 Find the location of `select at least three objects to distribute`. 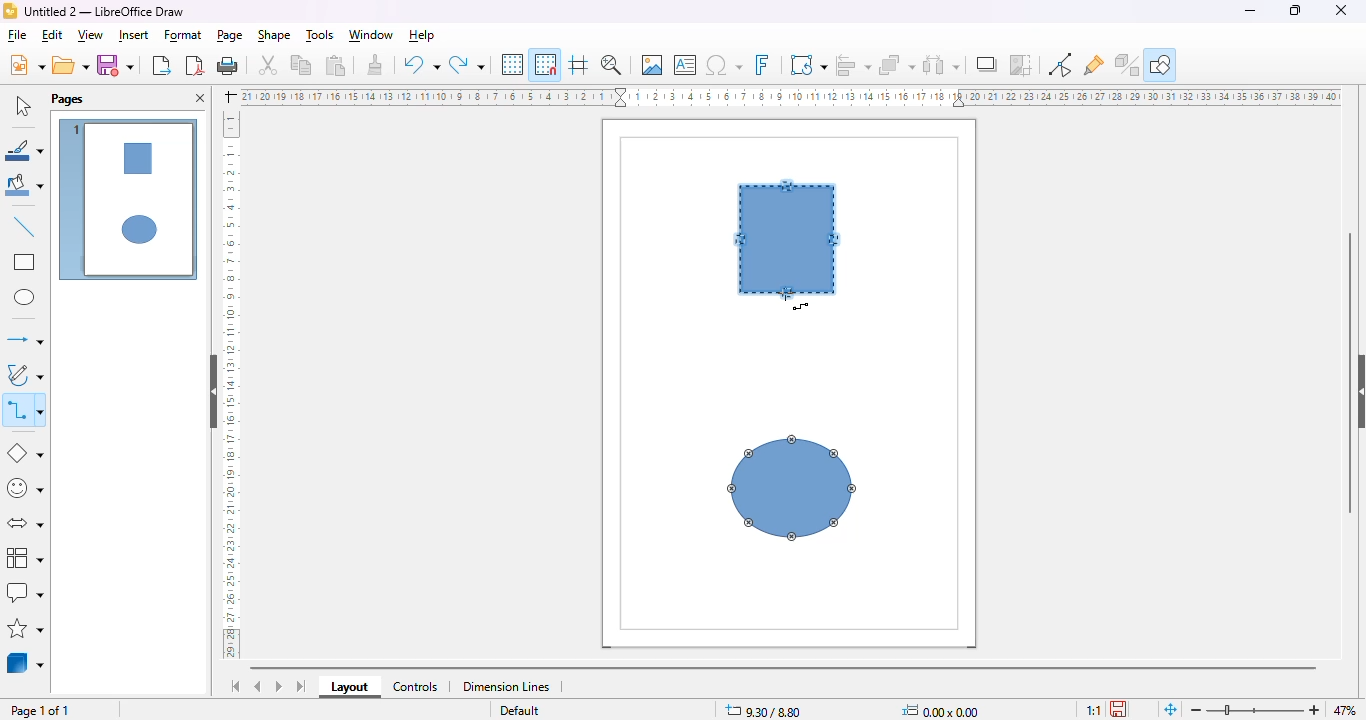

select at least three objects to distribute is located at coordinates (942, 65).